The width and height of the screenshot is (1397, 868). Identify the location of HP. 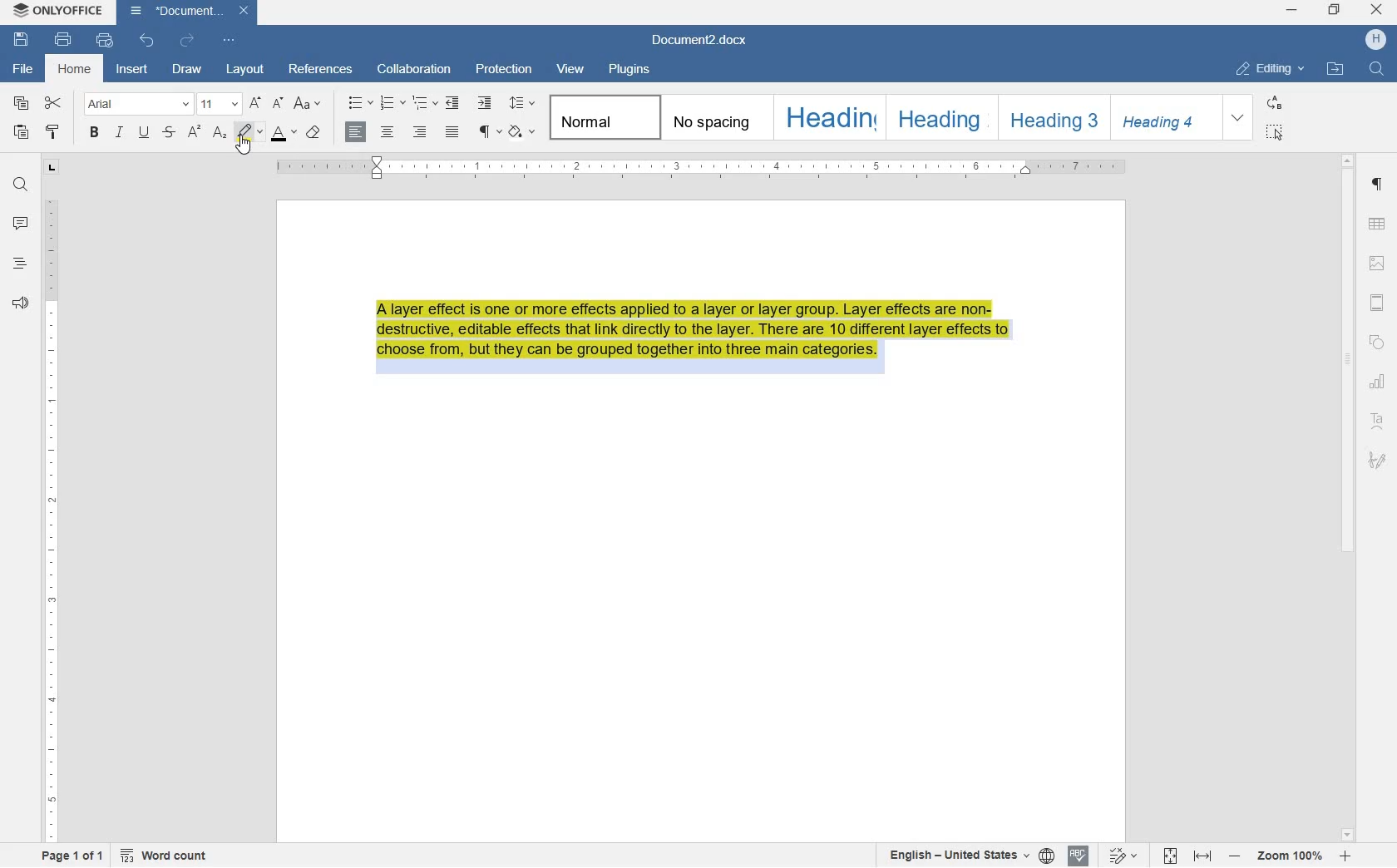
(1375, 40).